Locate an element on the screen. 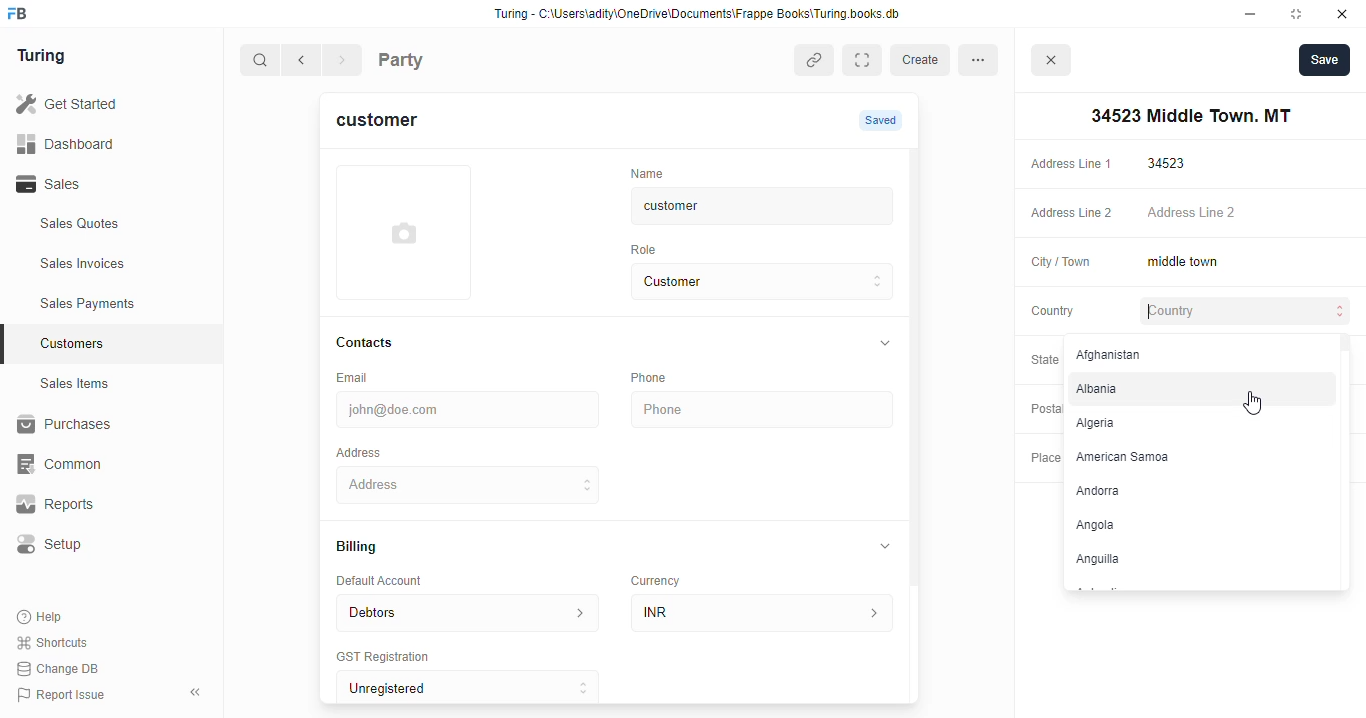  Albania is located at coordinates (1195, 390).